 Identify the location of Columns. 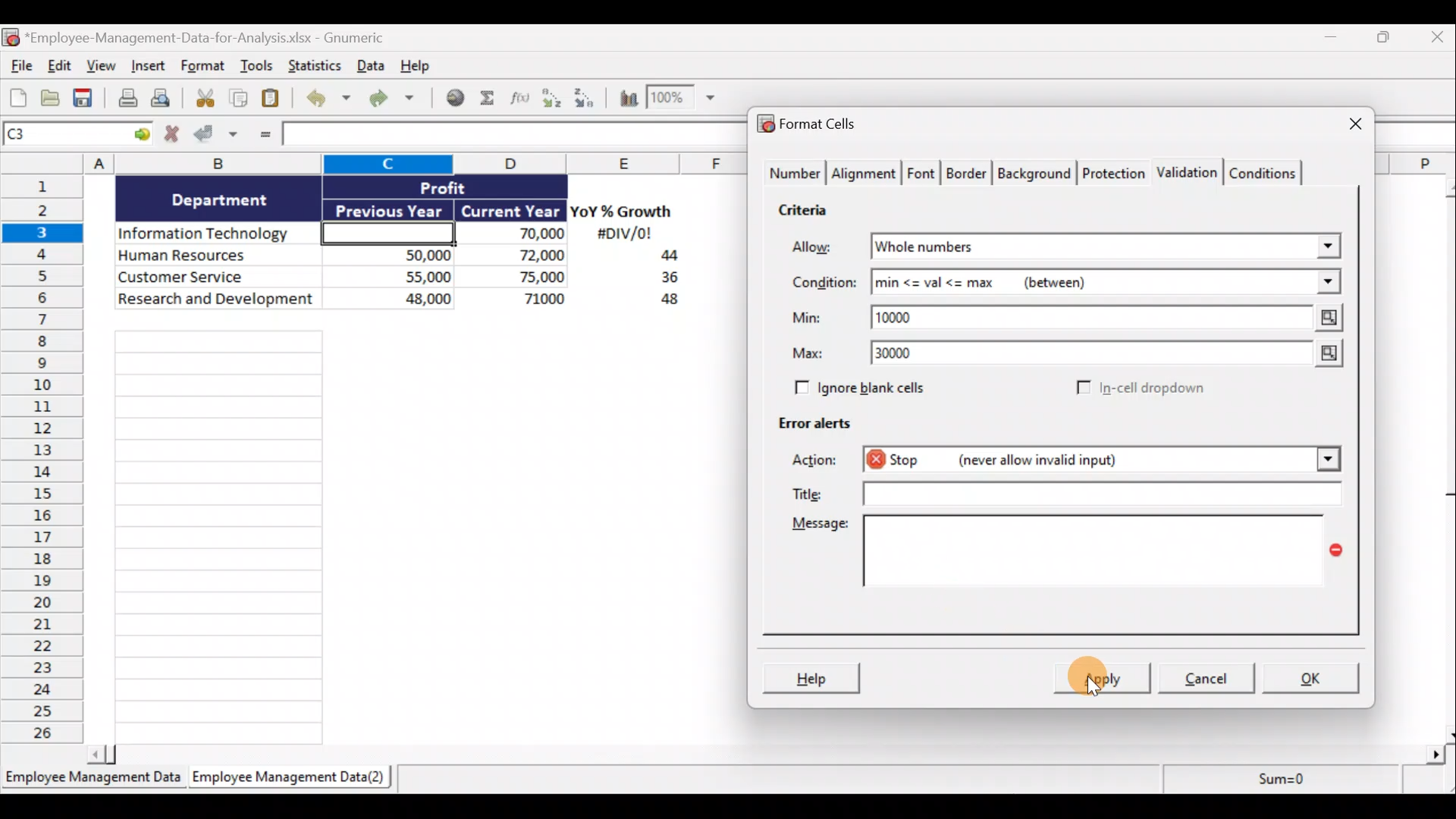
(380, 163).